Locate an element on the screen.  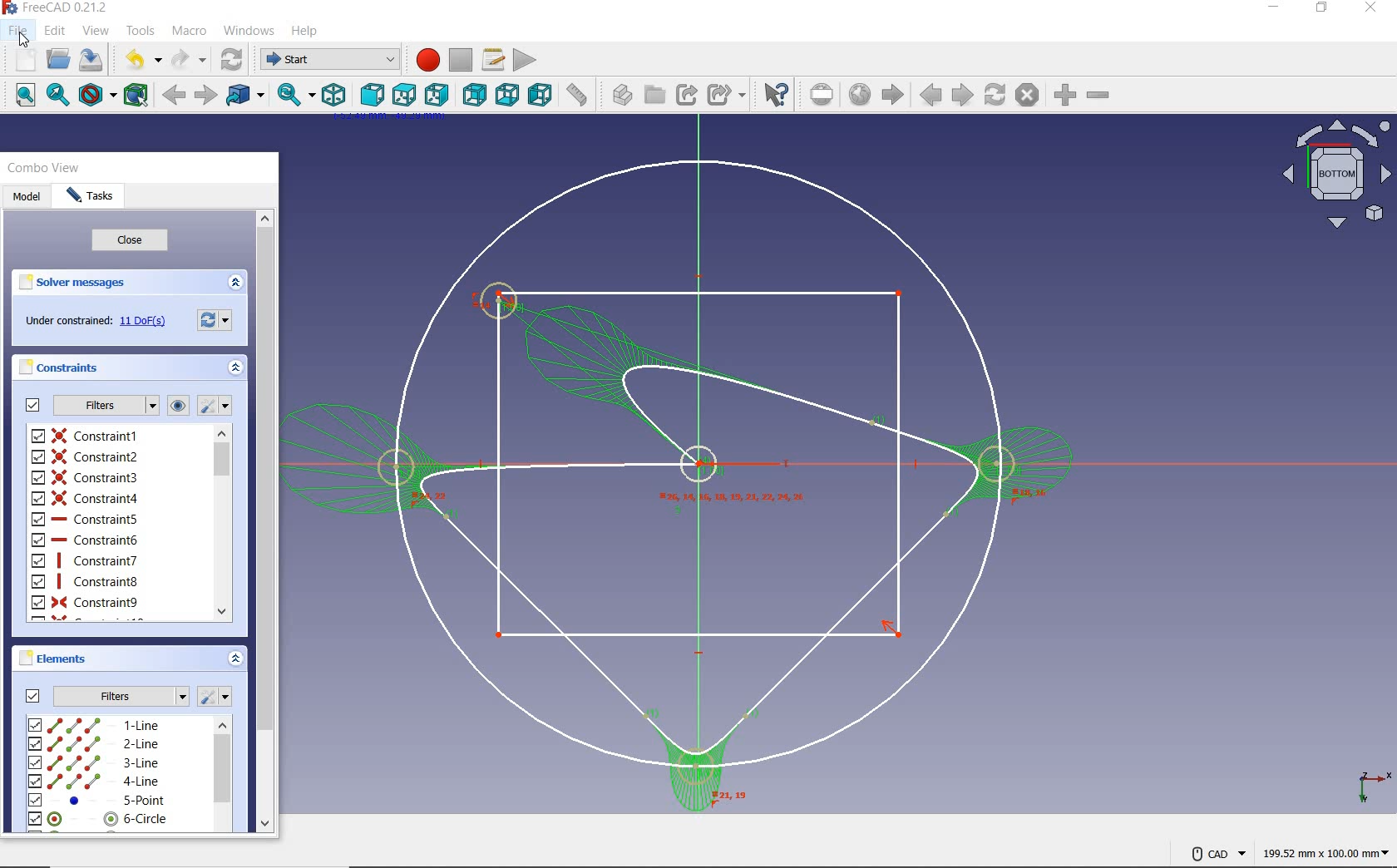
6-circle is located at coordinates (99, 819).